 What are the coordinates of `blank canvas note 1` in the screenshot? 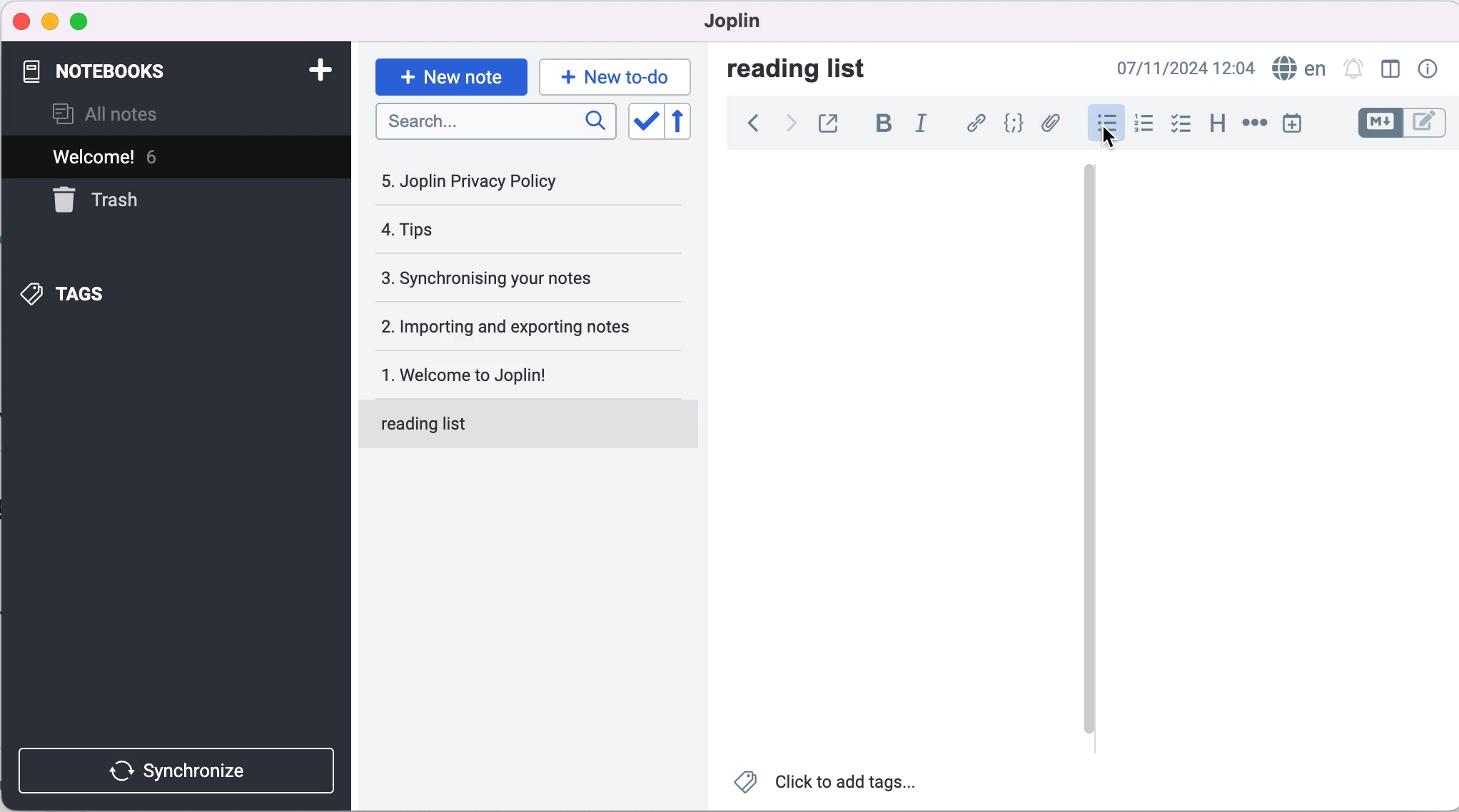 It's located at (893, 459).